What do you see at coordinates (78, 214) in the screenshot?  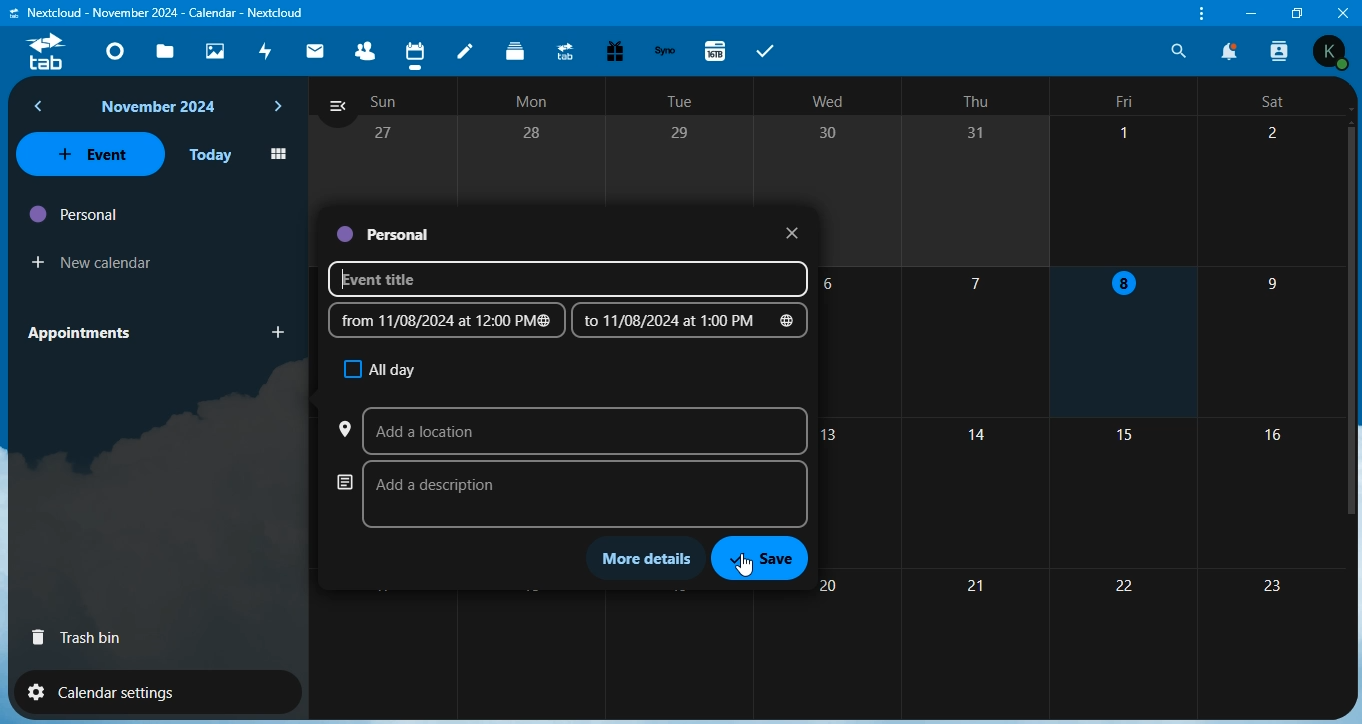 I see `personal` at bounding box center [78, 214].